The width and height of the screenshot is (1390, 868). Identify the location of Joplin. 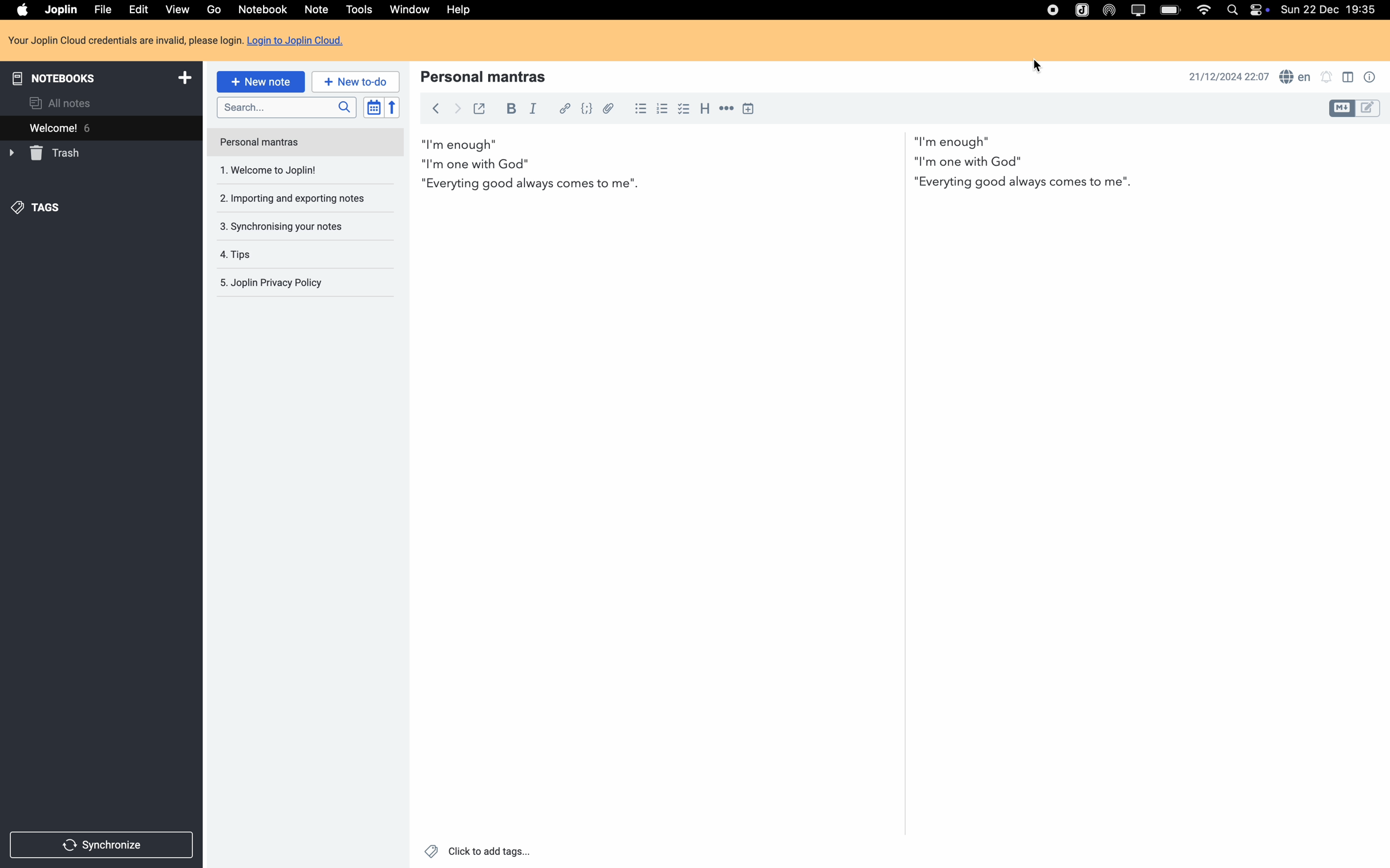
(61, 9).